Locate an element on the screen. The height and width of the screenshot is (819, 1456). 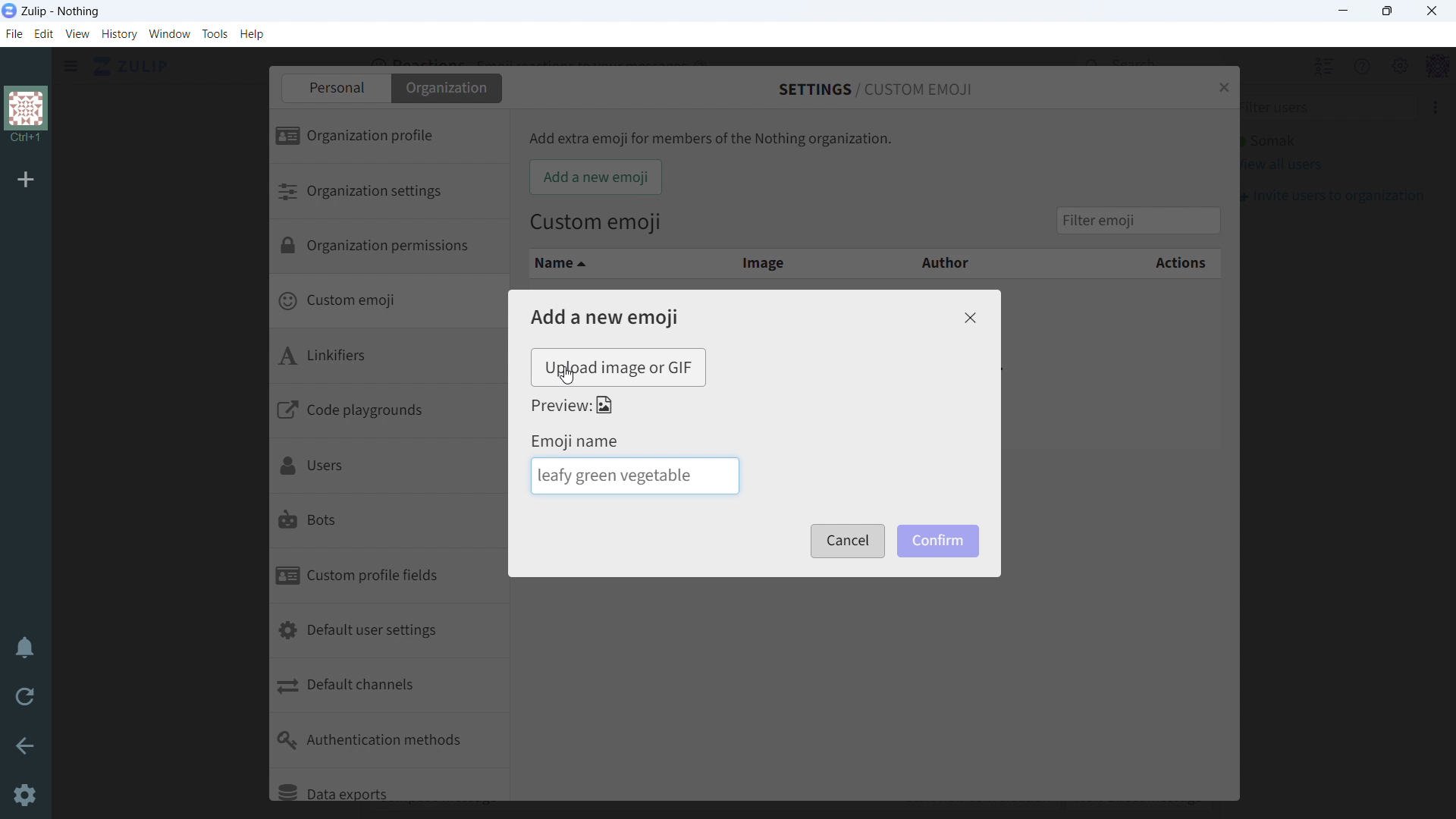
window is located at coordinates (170, 34).